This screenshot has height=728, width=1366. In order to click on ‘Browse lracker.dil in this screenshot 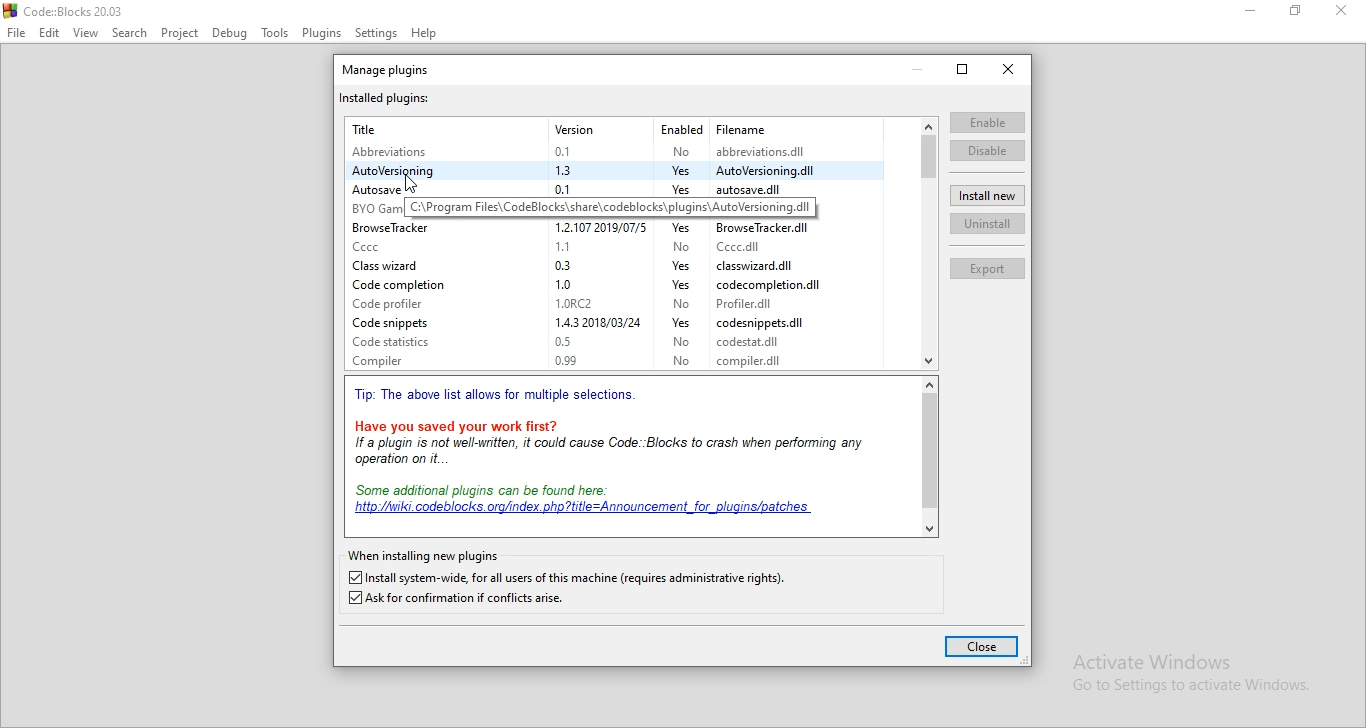, I will do `click(766, 227)`.